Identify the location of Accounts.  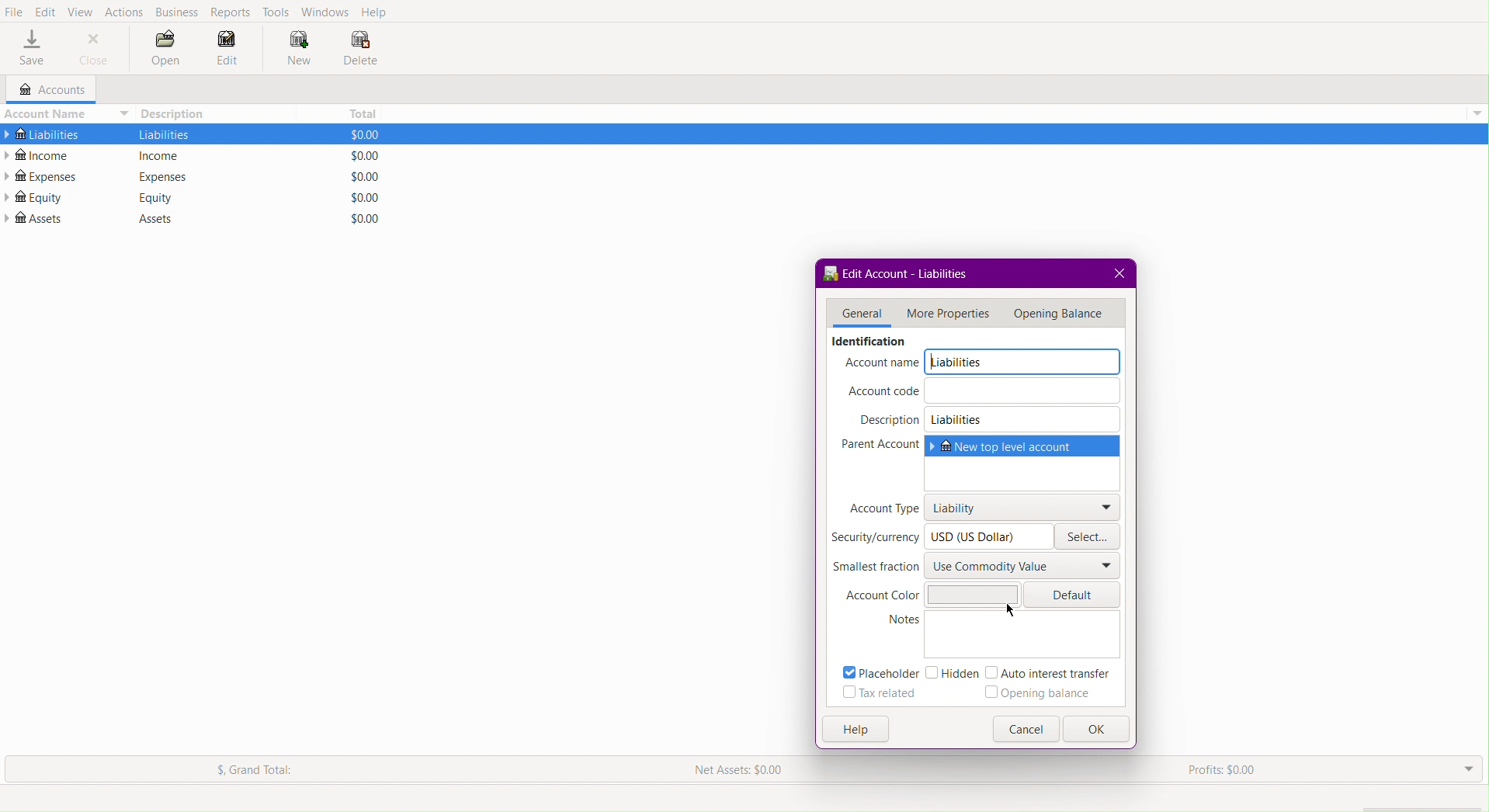
(45, 90).